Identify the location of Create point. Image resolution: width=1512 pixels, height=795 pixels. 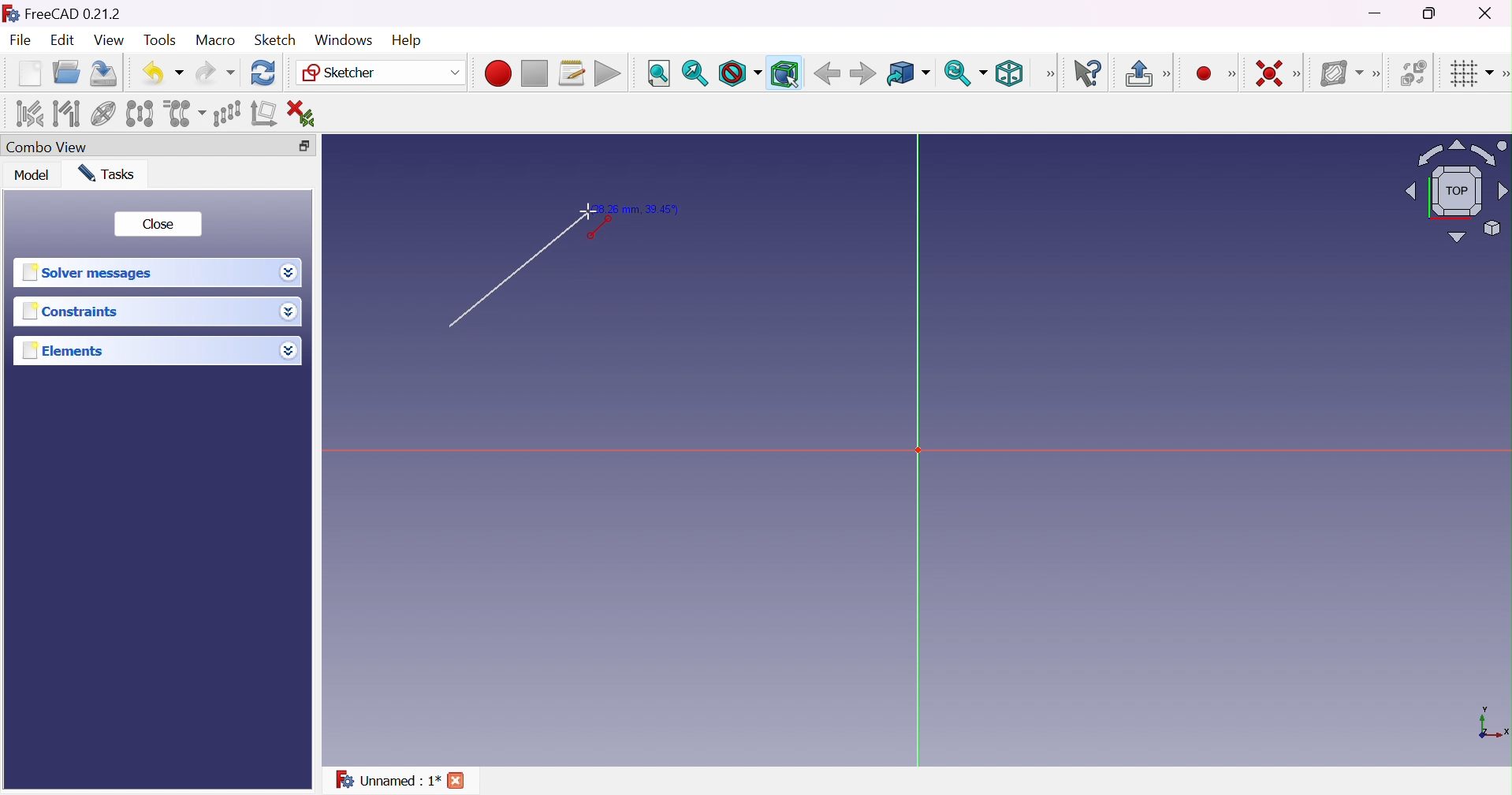
(1201, 72).